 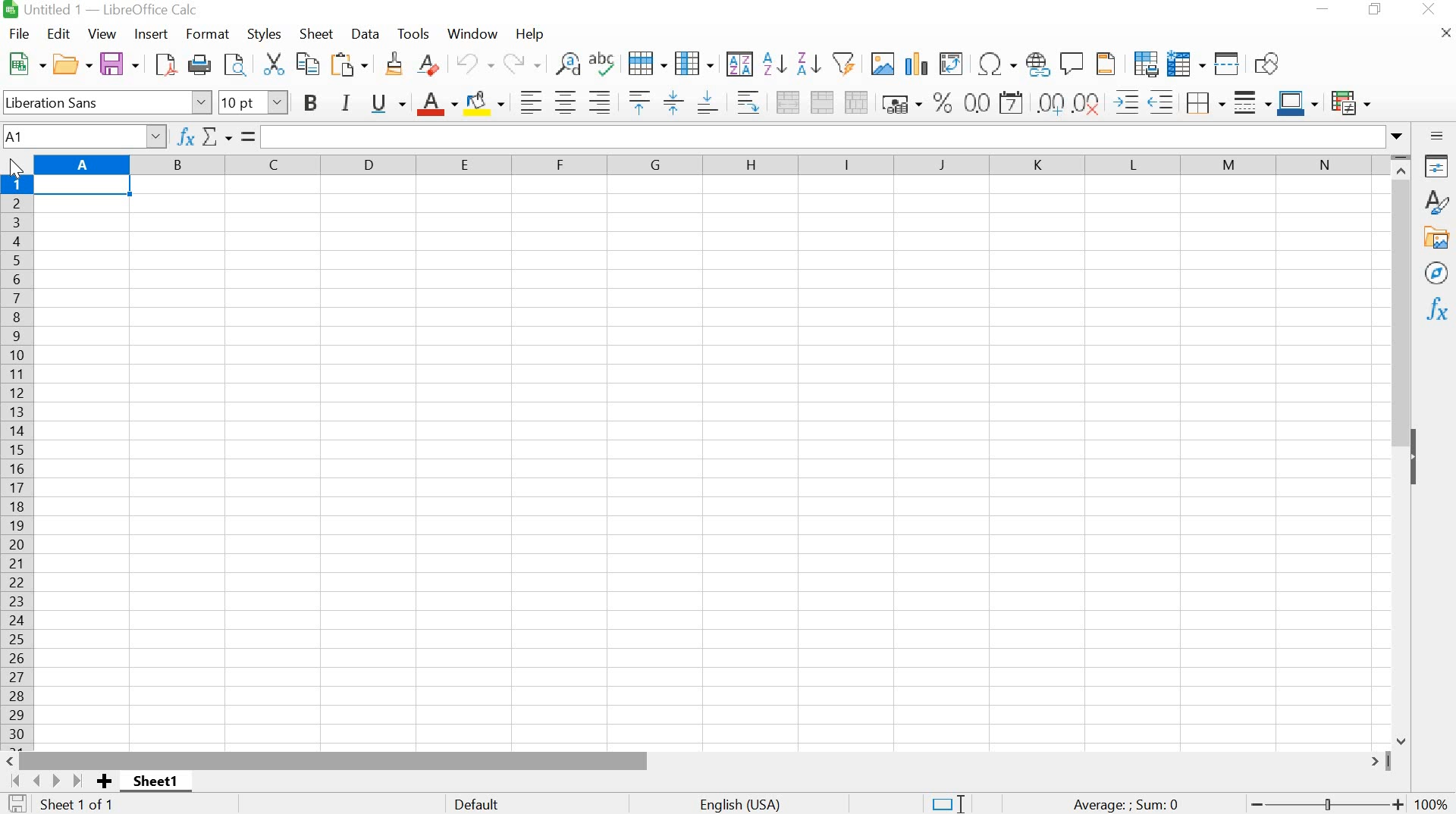 What do you see at coordinates (86, 189) in the screenshot?
I see `SELECTED CELL` at bounding box center [86, 189].